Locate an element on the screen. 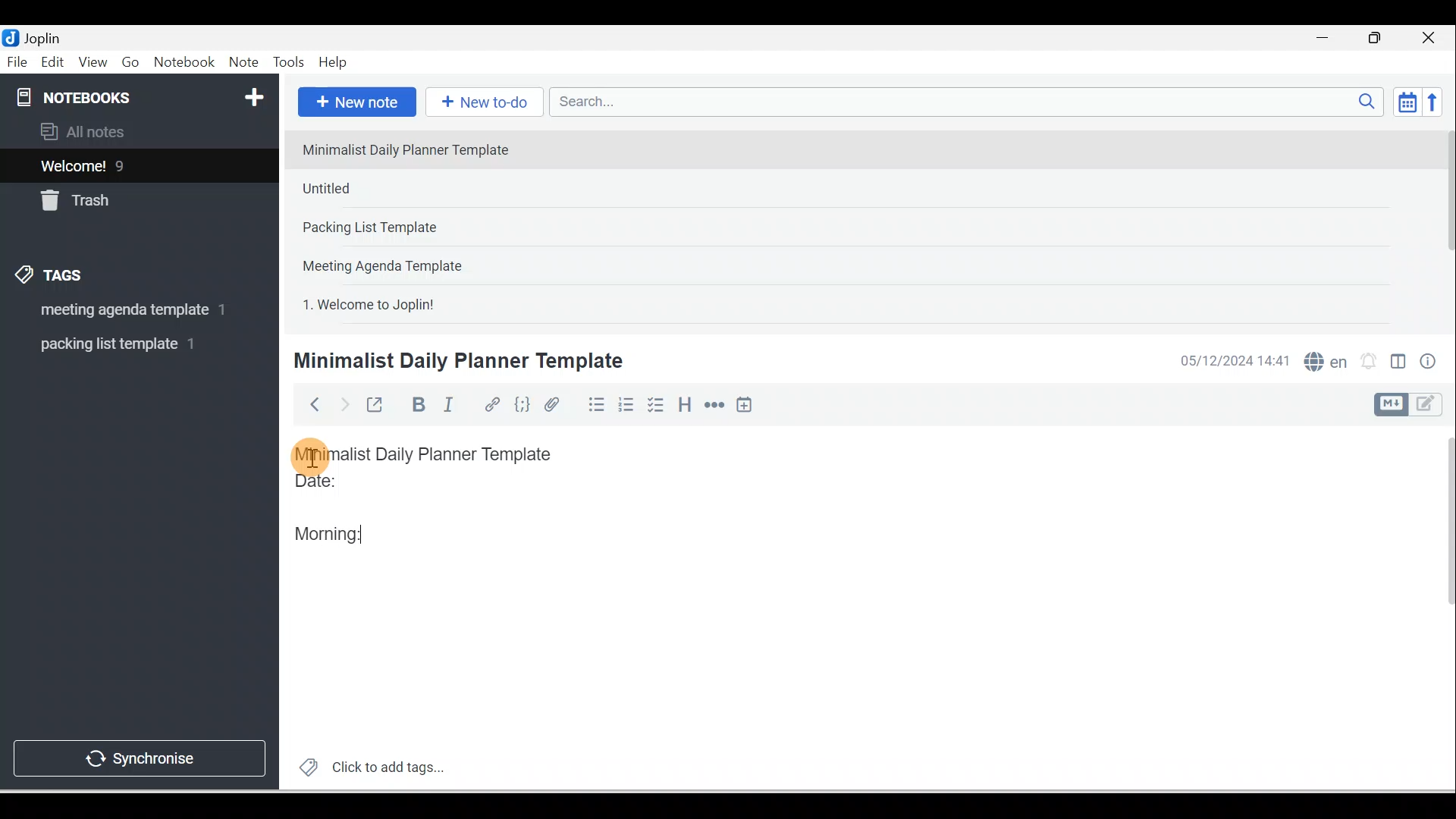  Horizontal rule is located at coordinates (716, 405).